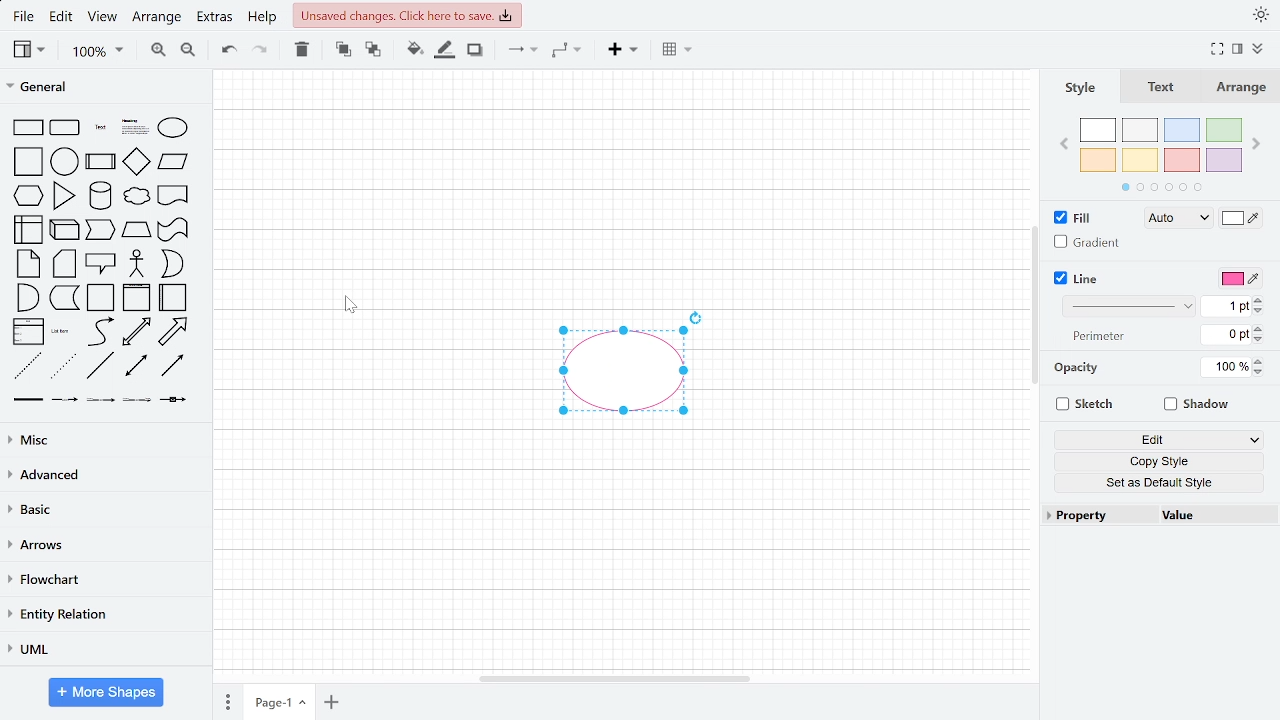  Describe the element at coordinates (101, 263) in the screenshot. I see `callout` at that location.